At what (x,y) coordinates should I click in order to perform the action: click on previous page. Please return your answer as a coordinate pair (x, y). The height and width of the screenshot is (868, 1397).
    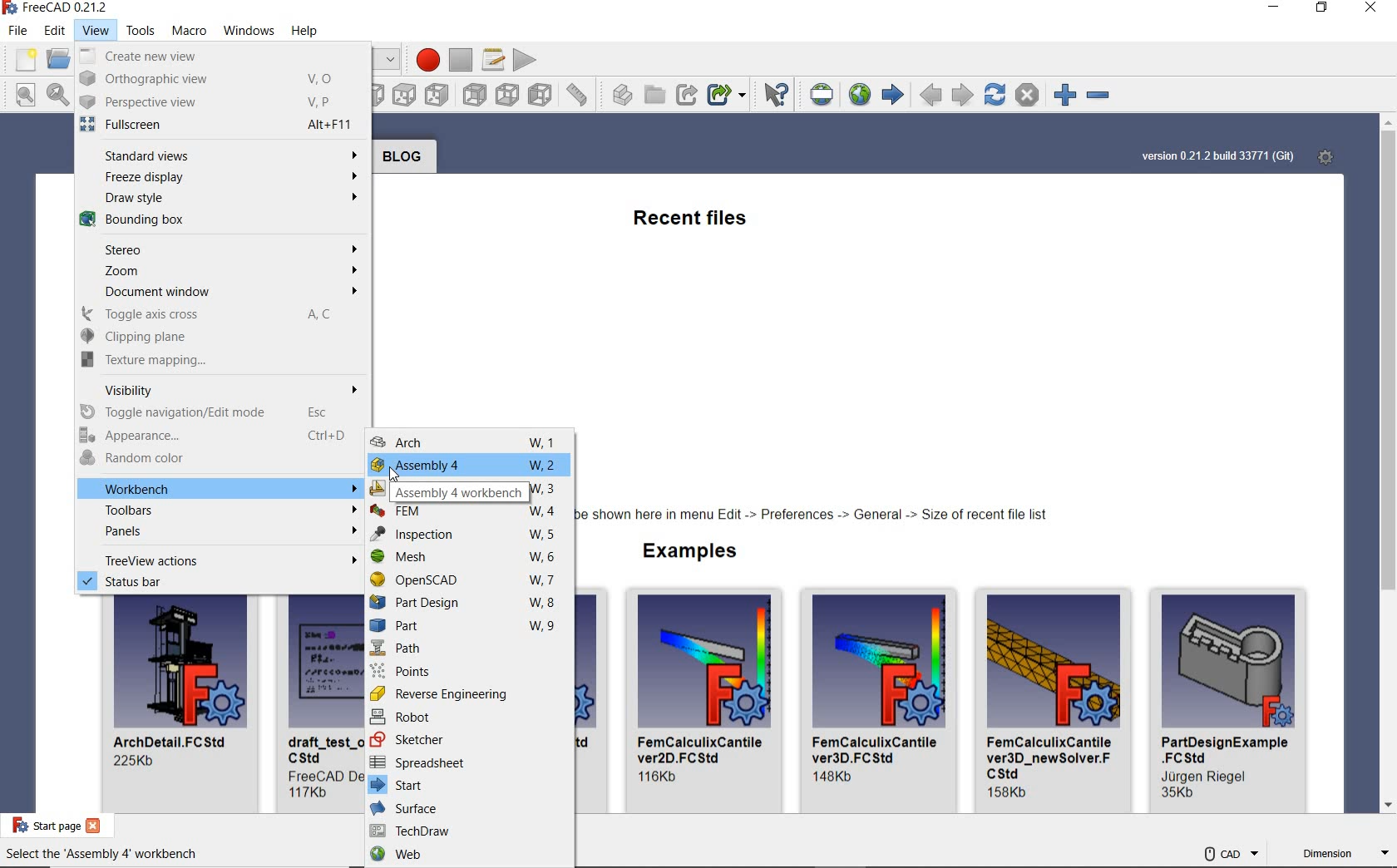
    Looking at the image, I should click on (931, 96).